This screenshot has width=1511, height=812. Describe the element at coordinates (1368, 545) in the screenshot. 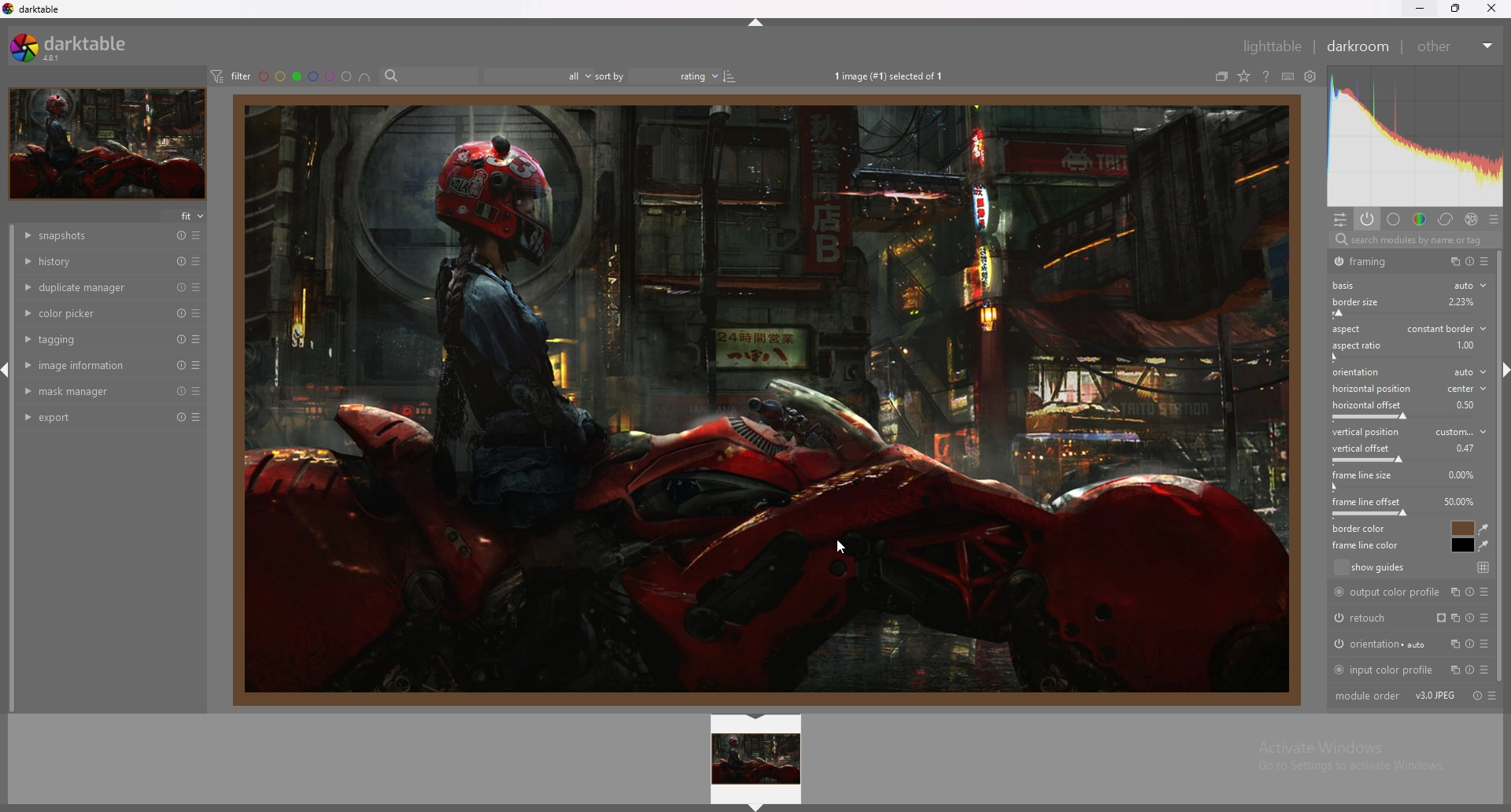

I see `frame line color` at that location.